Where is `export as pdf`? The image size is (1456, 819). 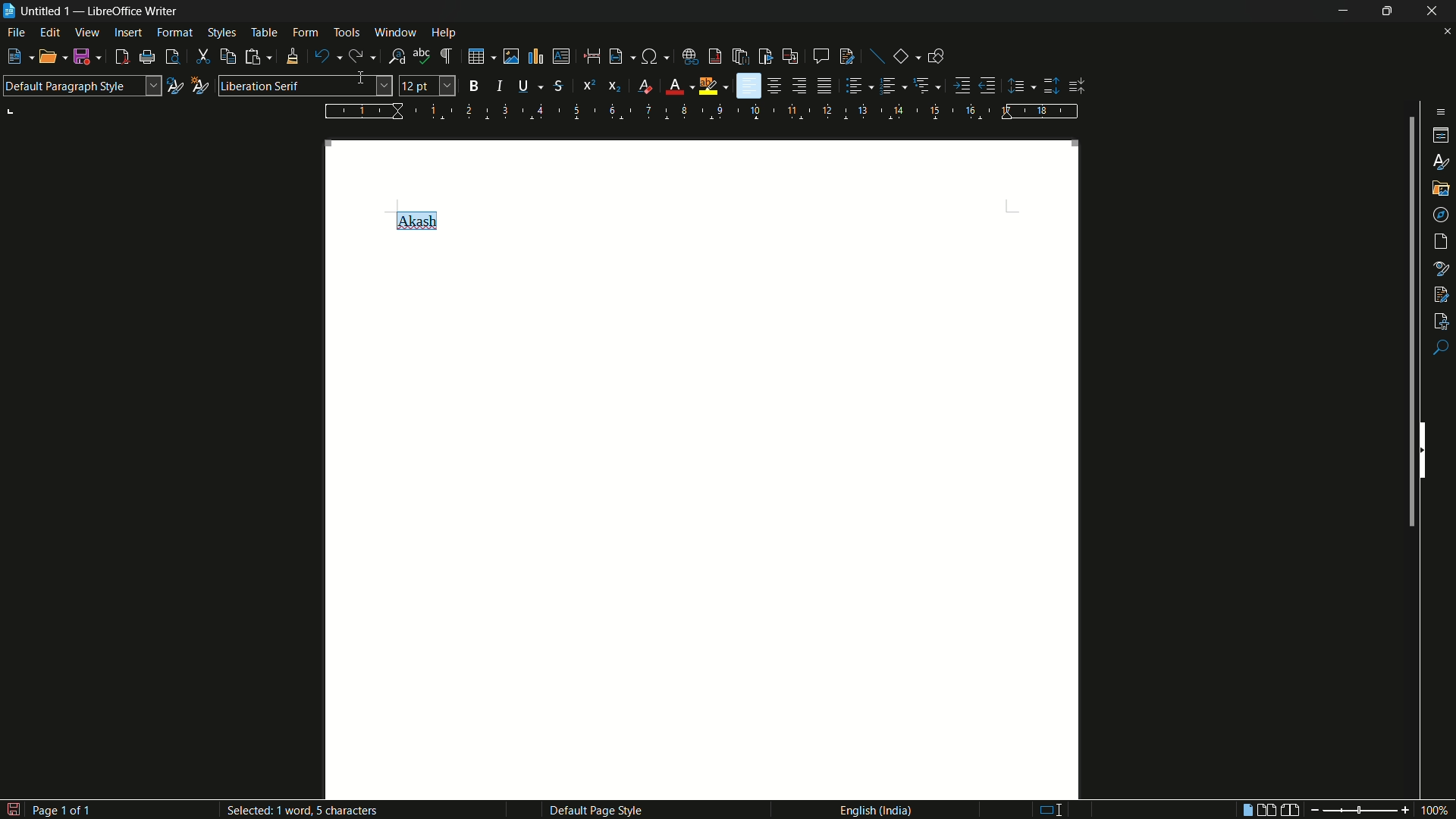
export as pdf is located at coordinates (121, 58).